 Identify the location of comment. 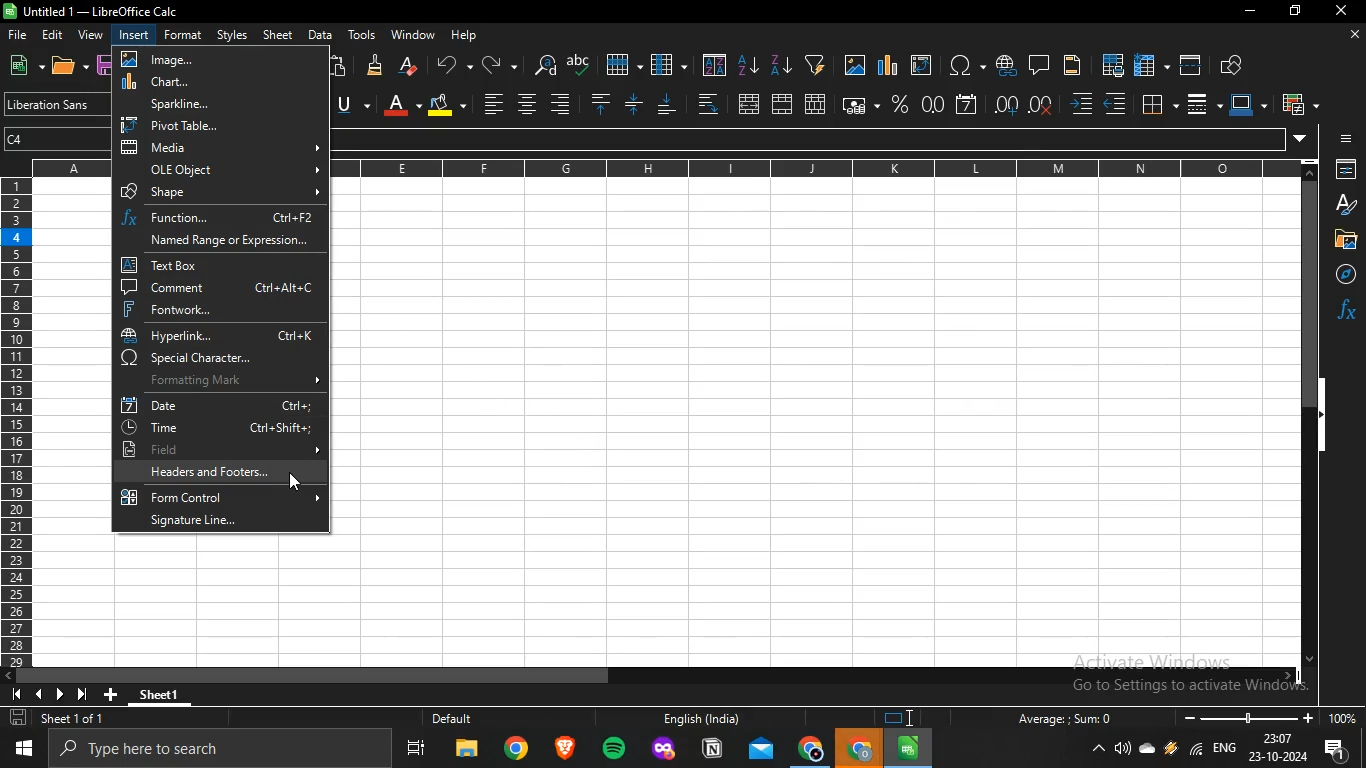
(220, 288).